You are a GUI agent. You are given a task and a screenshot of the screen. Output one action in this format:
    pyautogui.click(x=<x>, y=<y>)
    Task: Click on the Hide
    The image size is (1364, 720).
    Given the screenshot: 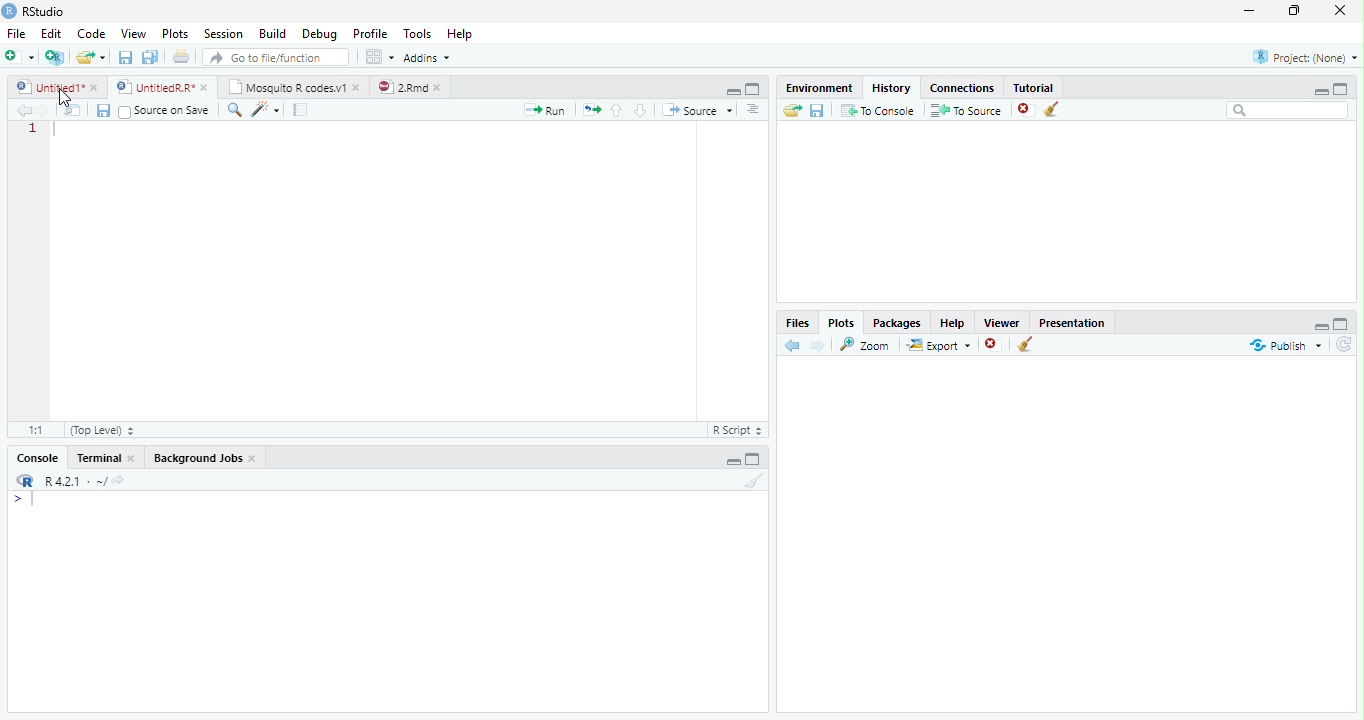 What is the action you would take?
    pyautogui.click(x=1319, y=324)
    